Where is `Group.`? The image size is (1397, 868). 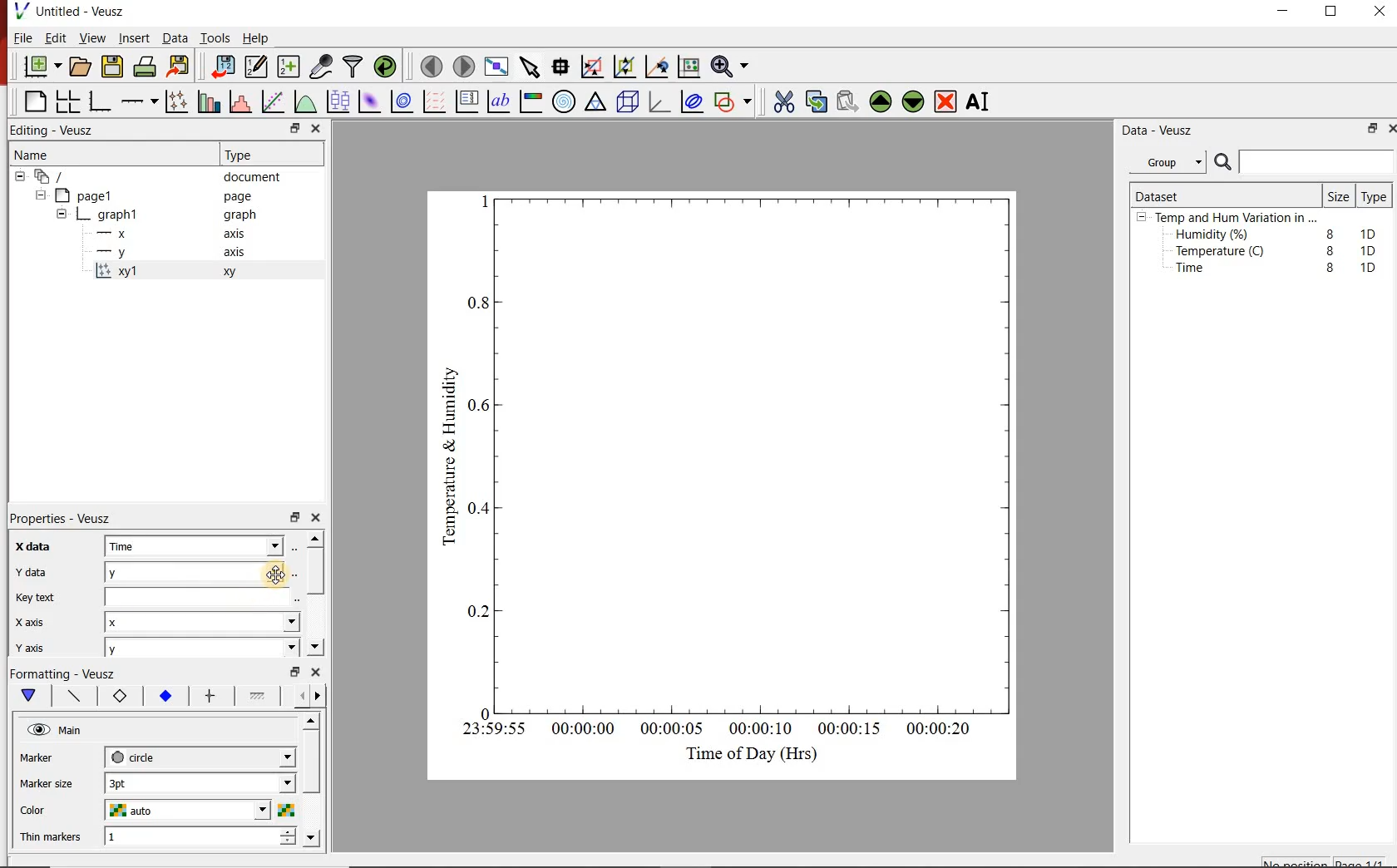 Group. is located at coordinates (1171, 159).